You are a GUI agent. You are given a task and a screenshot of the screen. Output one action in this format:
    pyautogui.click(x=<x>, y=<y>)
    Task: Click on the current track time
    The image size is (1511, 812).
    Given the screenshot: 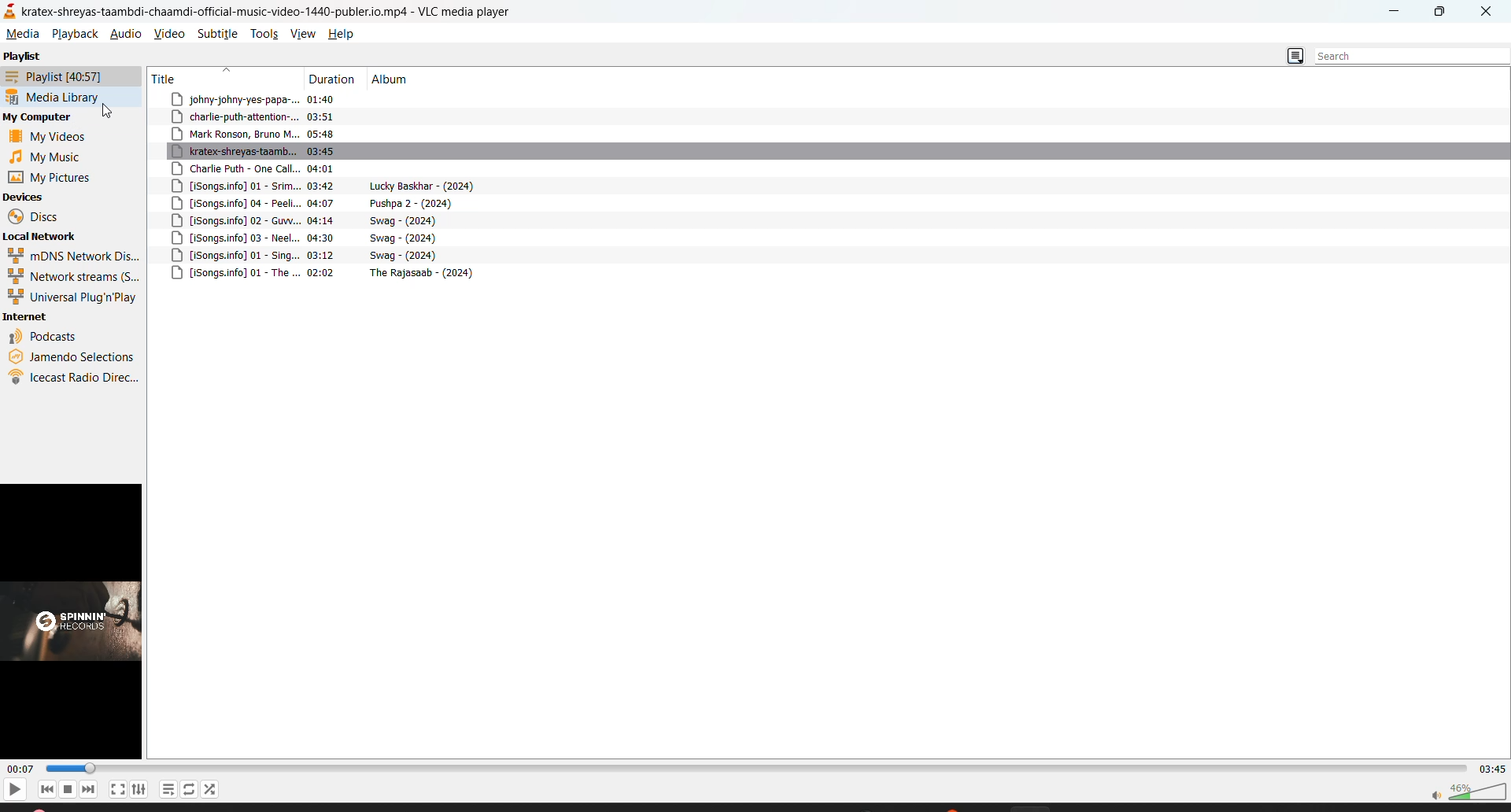 What is the action you would take?
    pyautogui.click(x=20, y=768)
    